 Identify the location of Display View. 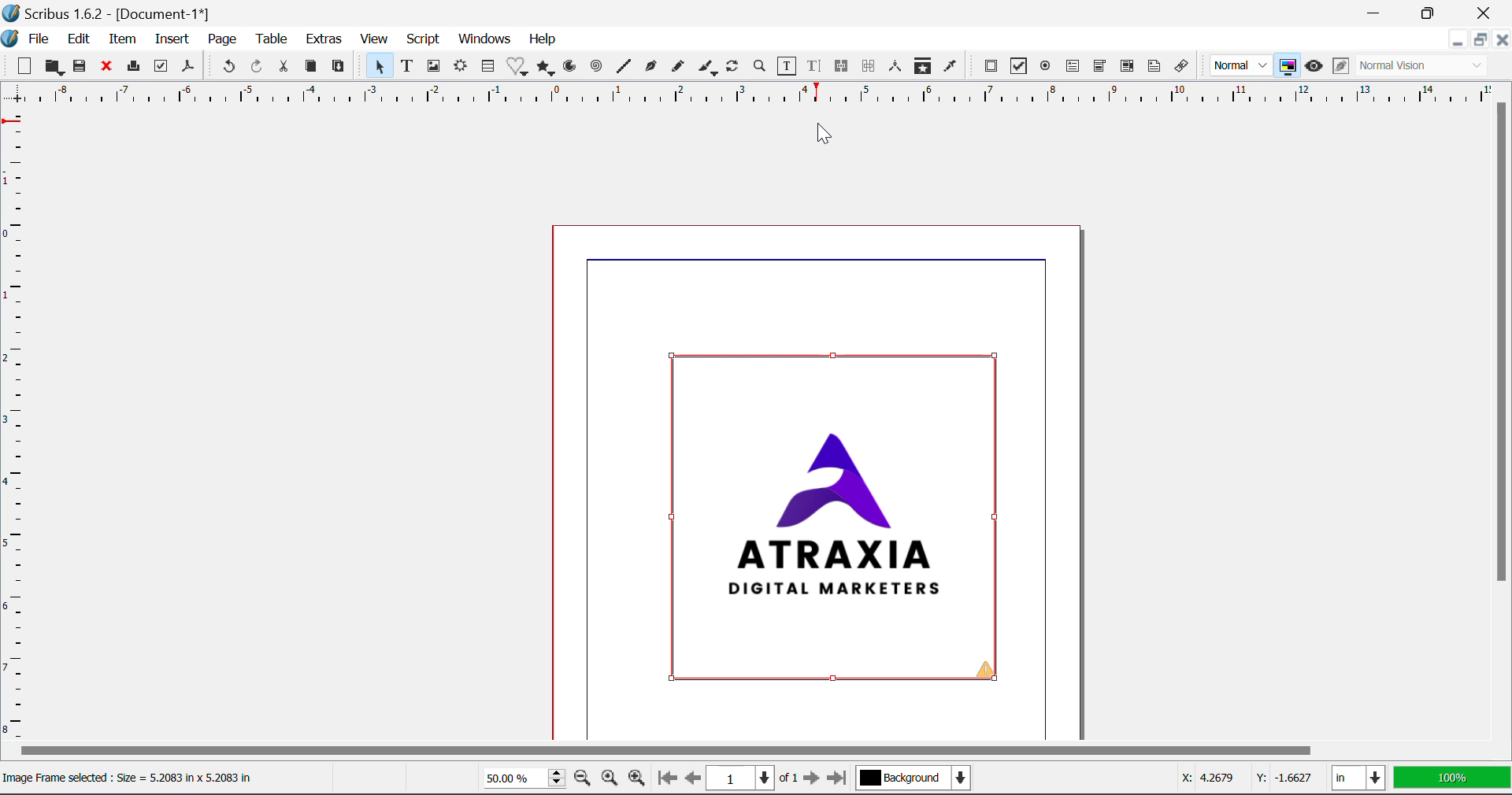
(1447, 777).